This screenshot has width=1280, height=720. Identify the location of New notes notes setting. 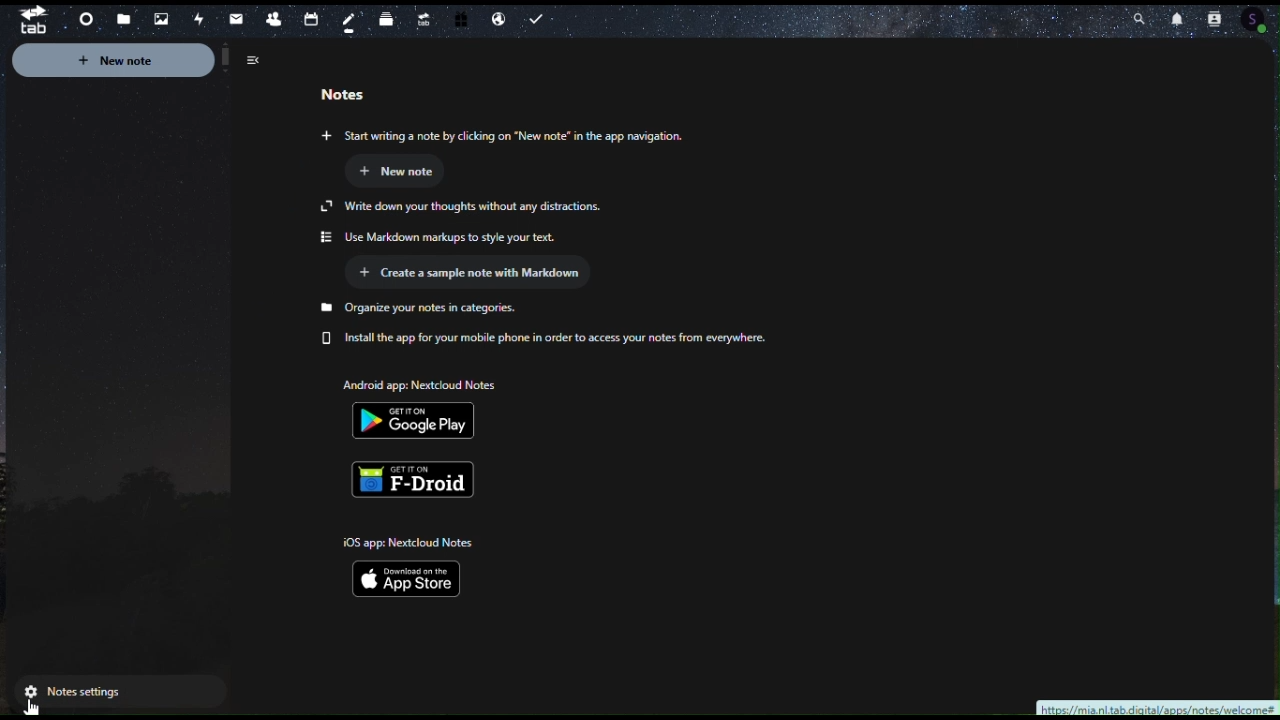
(144, 63).